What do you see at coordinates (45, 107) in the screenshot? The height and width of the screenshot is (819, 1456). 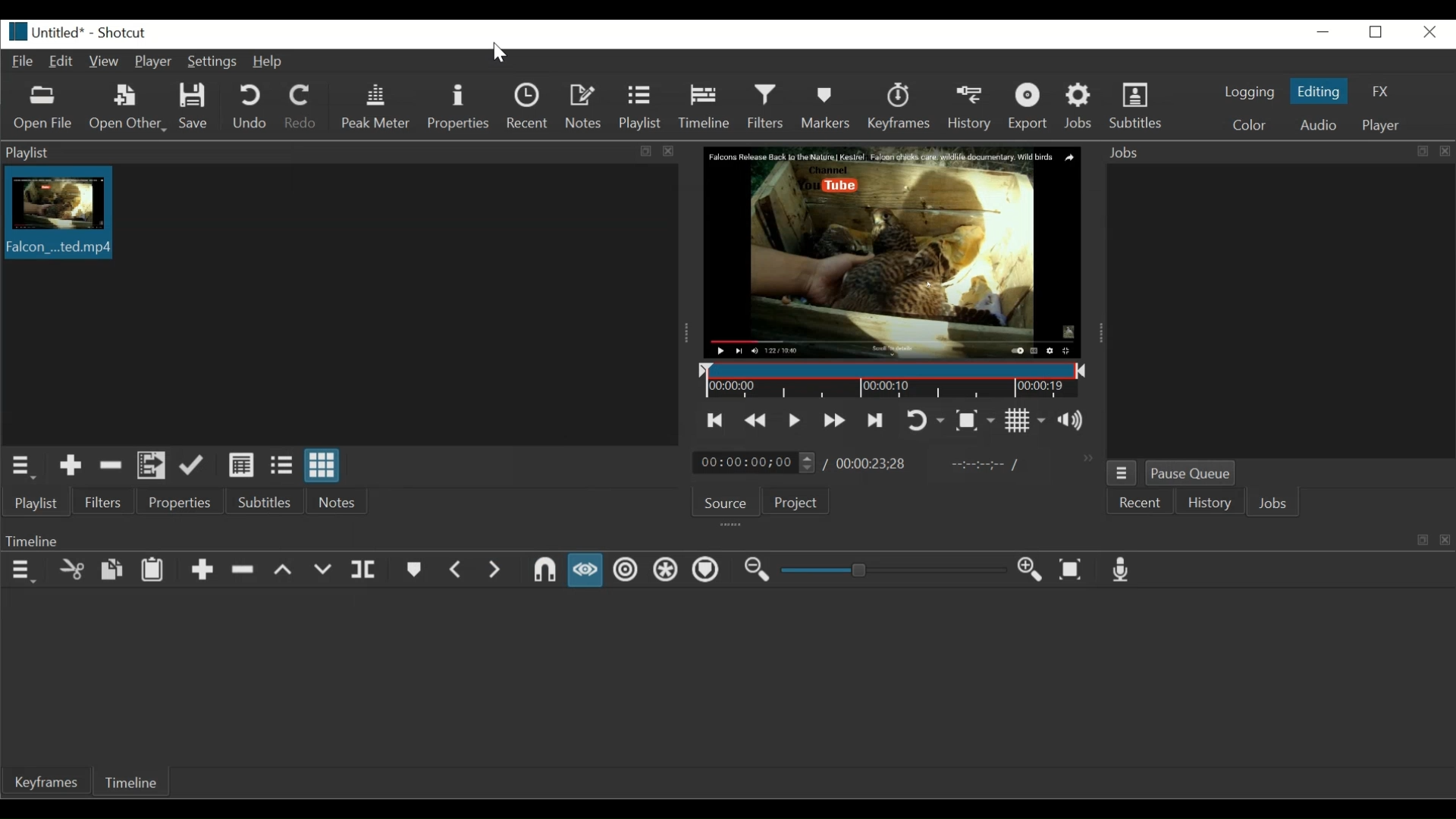 I see `Open File` at bounding box center [45, 107].